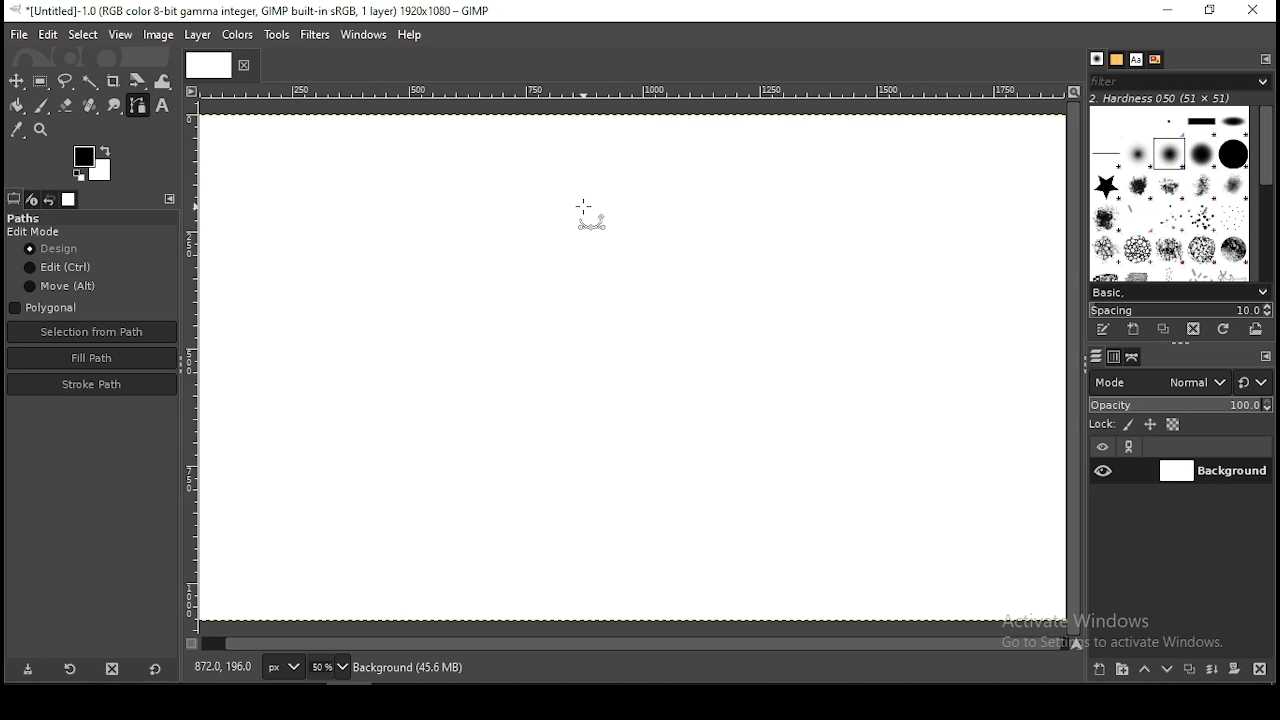 Image resolution: width=1280 pixels, height=720 pixels. Describe the element at coordinates (1147, 671) in the screenshot. I see `move layer one step up` at that location.